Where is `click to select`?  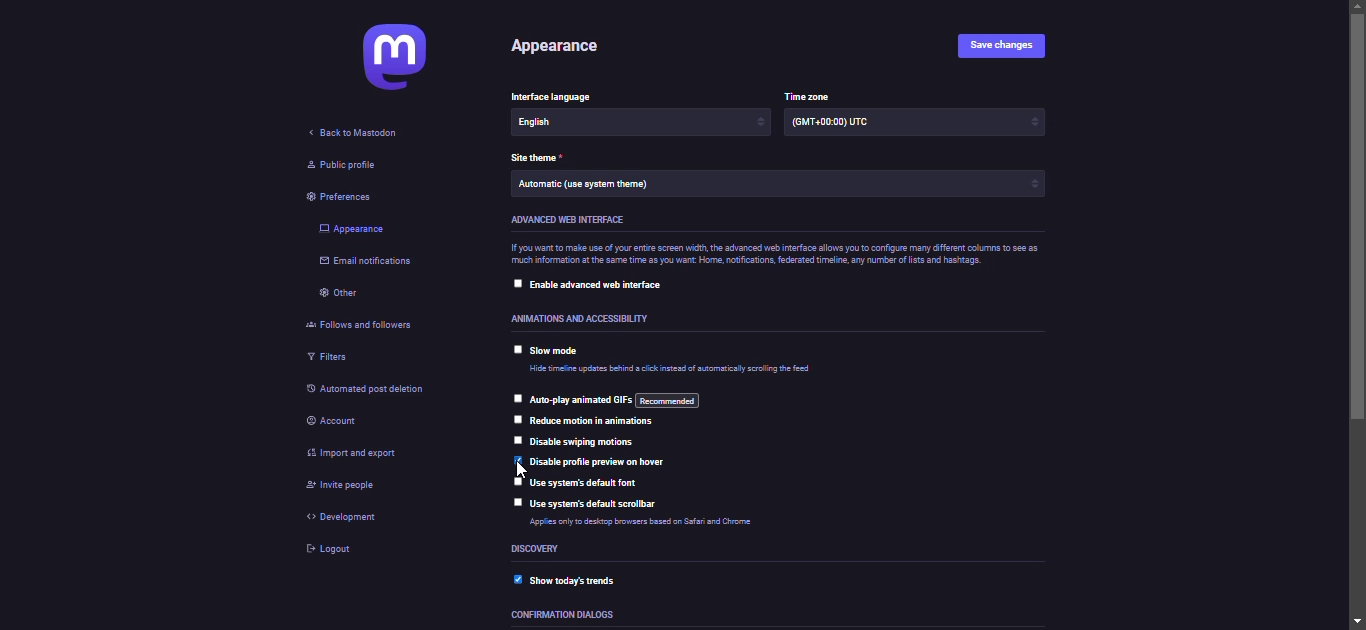 click to select is located at coordinates (514, 397).